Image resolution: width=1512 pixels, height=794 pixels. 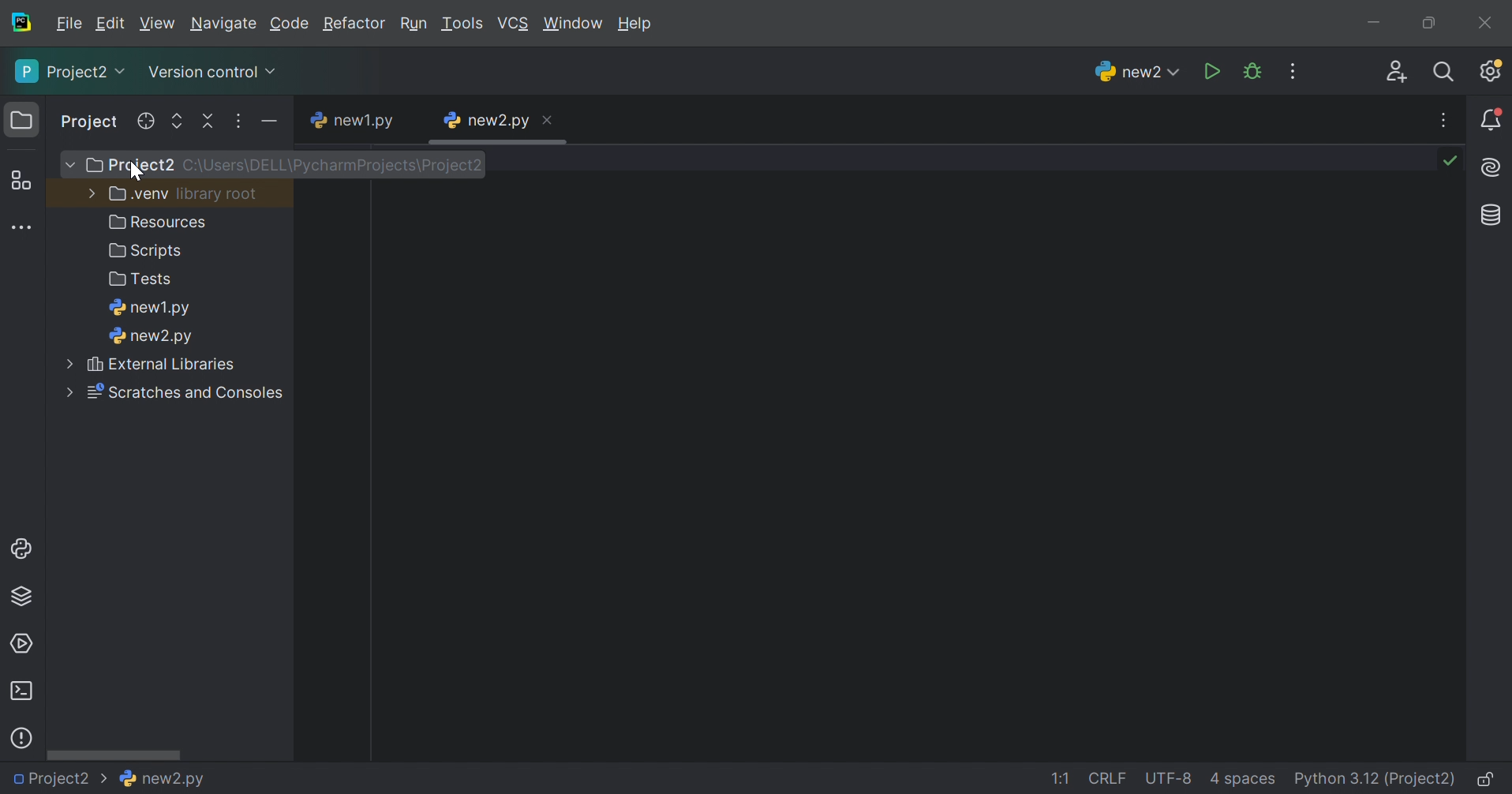 I want to click on CRLF, so click(x=1110, y=780).